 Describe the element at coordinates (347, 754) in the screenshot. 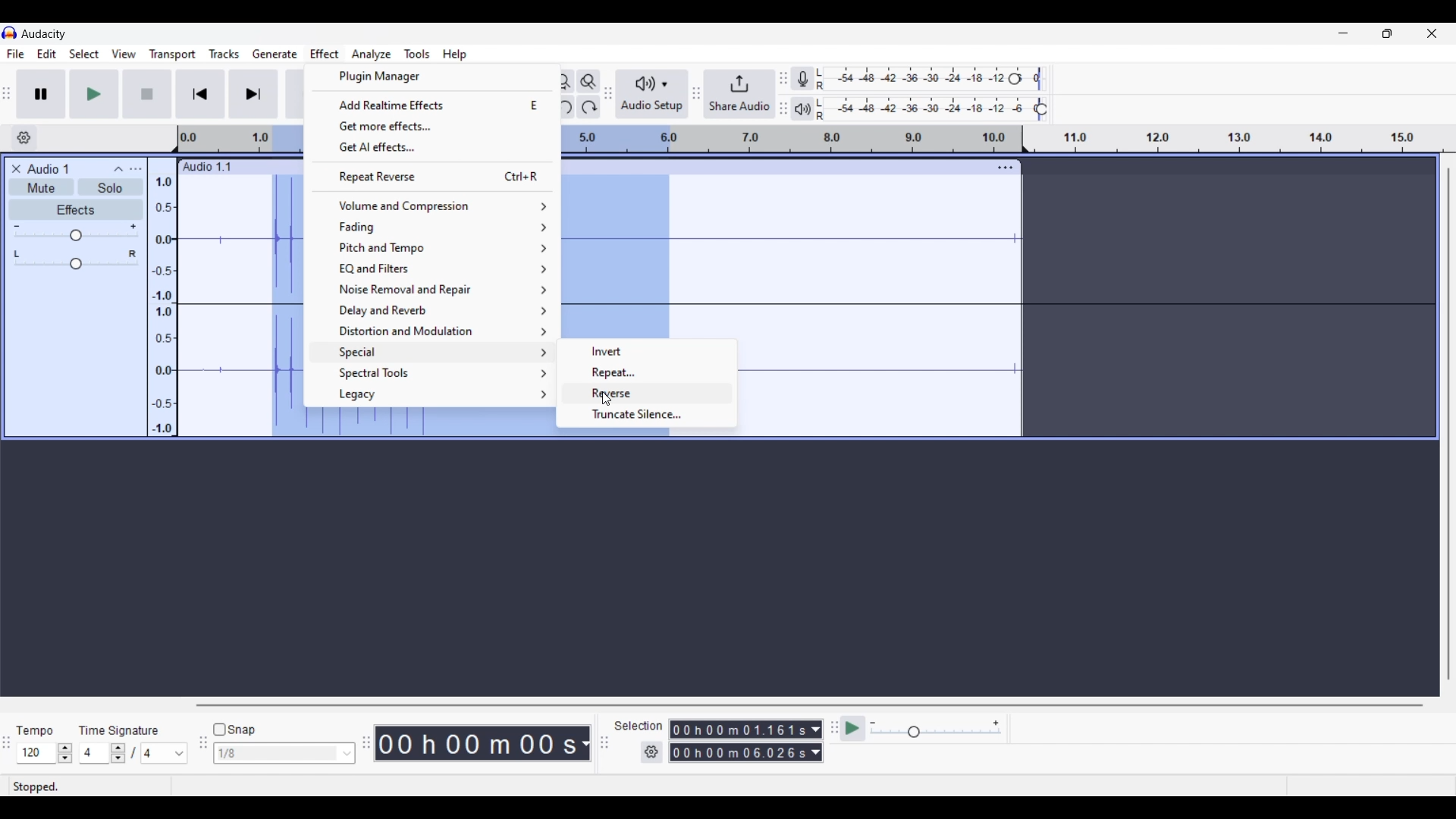

I see `Snap options` at that location.